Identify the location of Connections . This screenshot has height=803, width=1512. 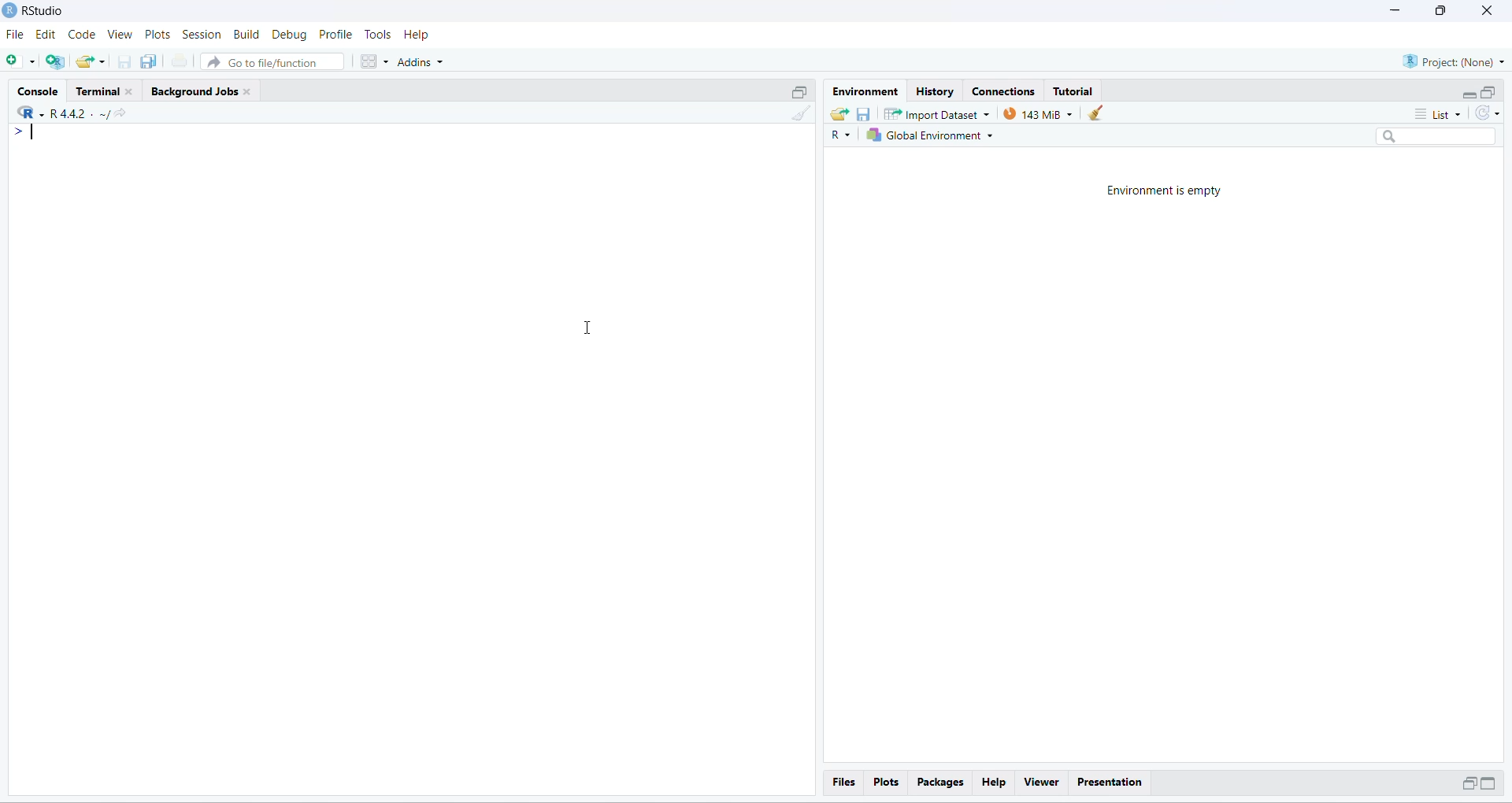
(1008, 92).